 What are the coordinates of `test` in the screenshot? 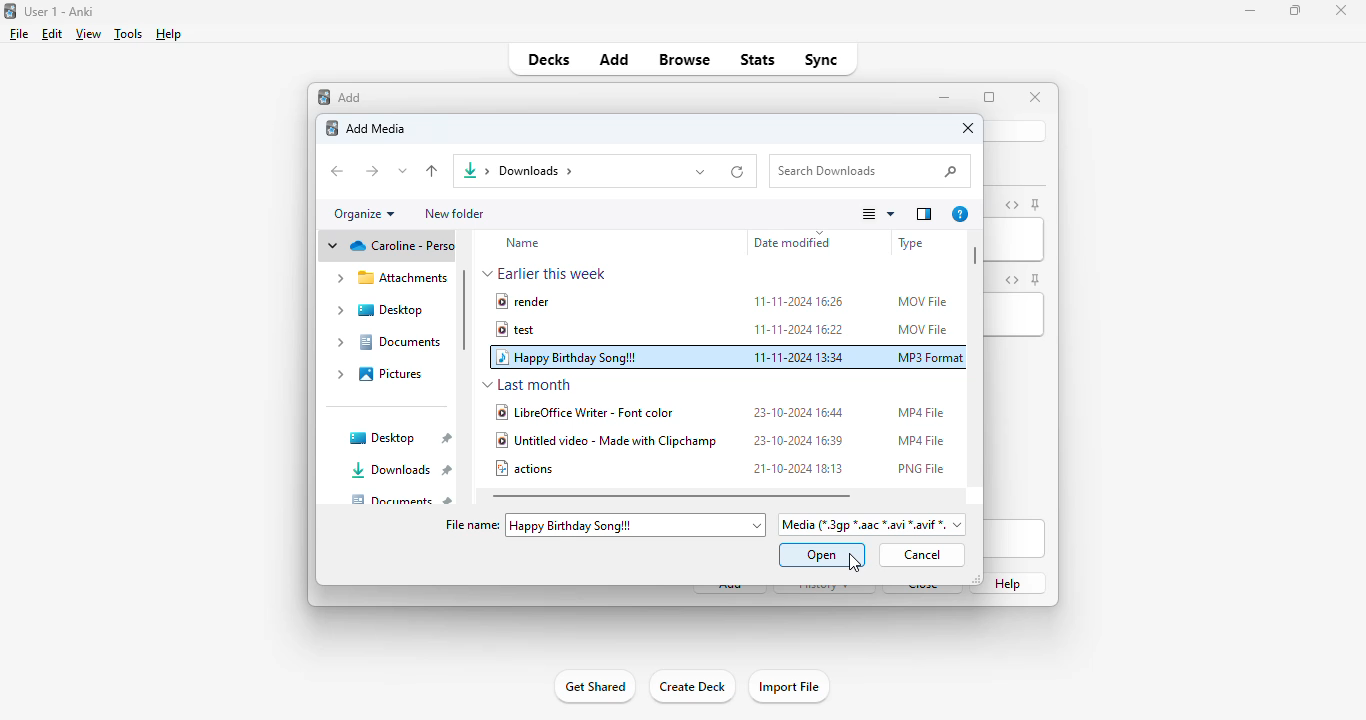 It's located at (518, 329).